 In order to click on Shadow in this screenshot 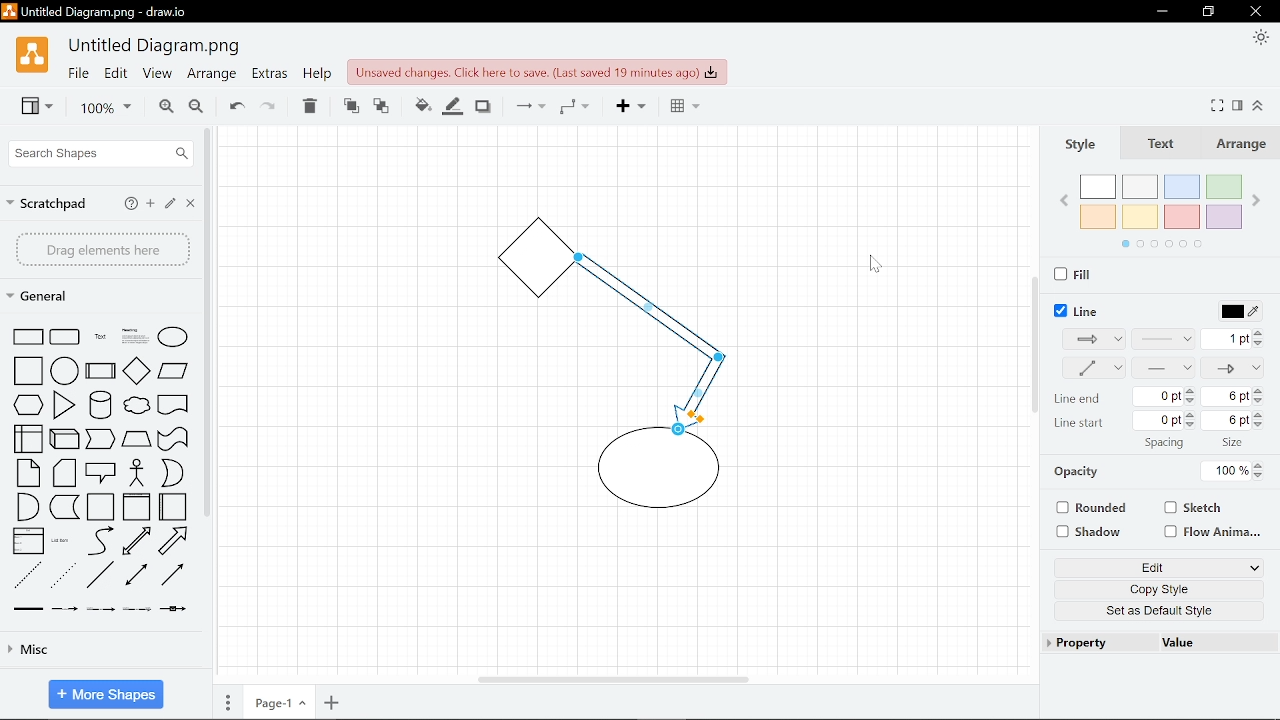, I will do `click(483, 105)`.